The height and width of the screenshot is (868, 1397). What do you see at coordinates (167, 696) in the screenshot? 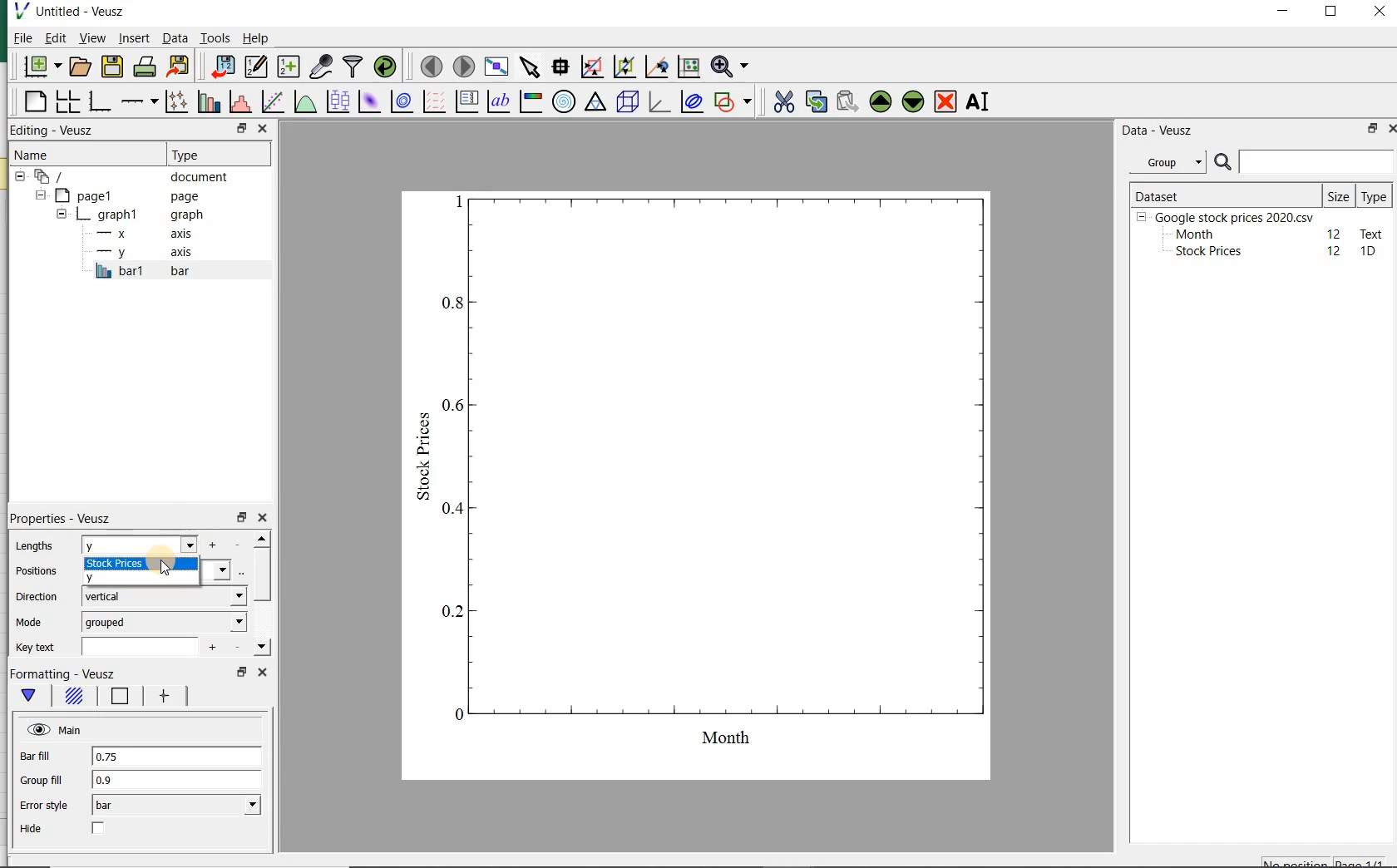
I see `error bar line` at bounding box center [167, 696].